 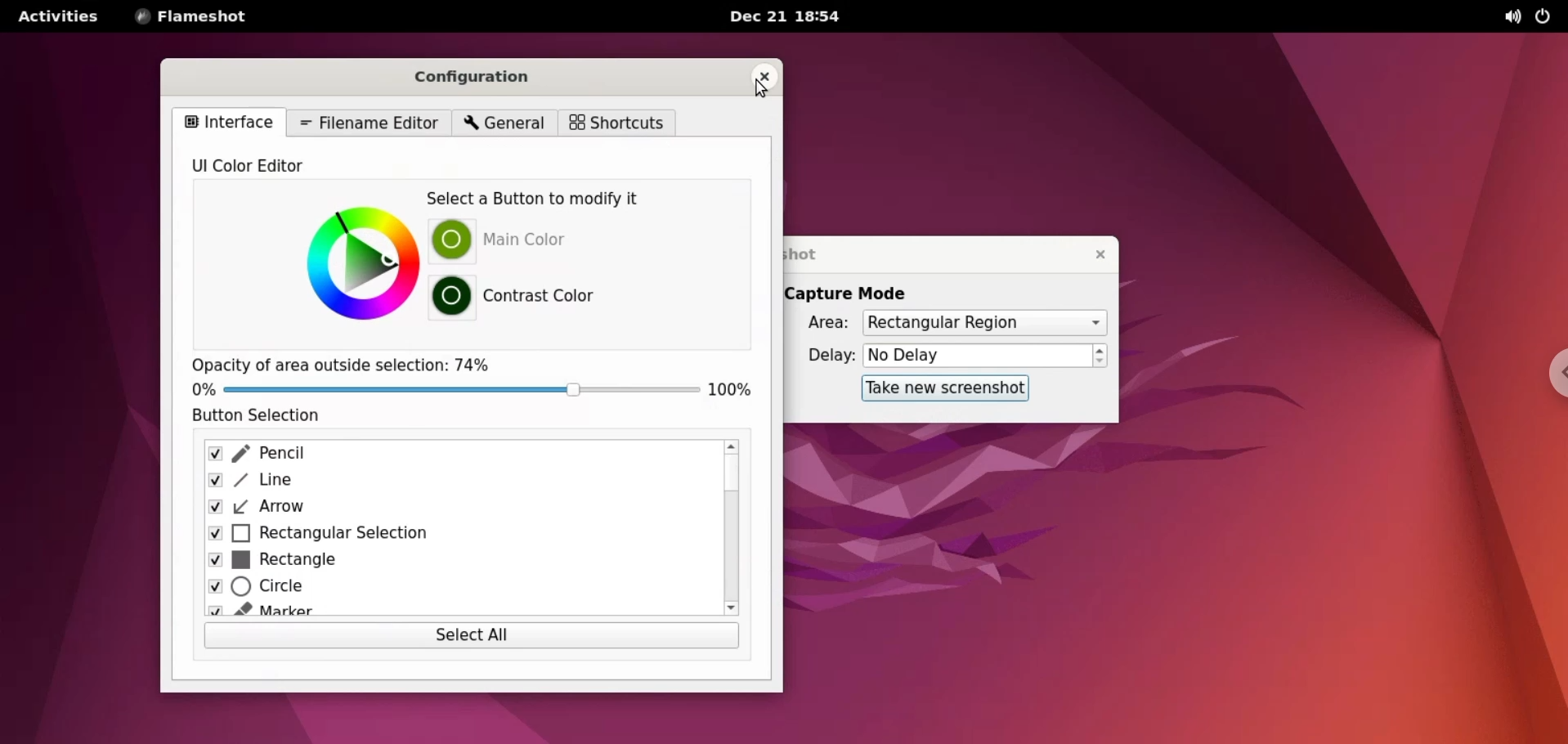 What do you see at coordinates (502, 124) in the screenshot?
I see `general` at bounding box center [502, 124].